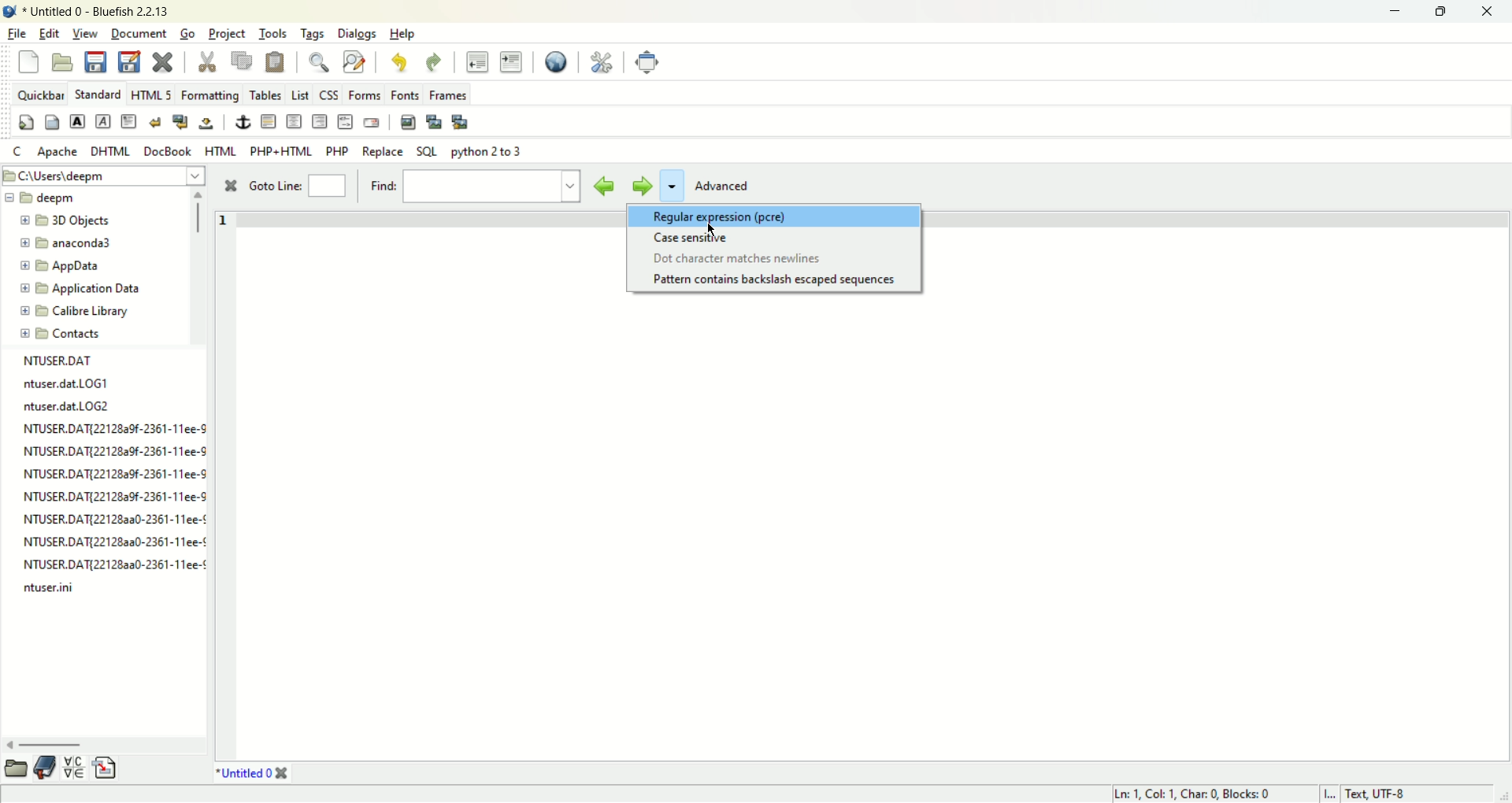 Image resolution: width=1512 pixels, height=803 pixels. I want to click on cut, so click(206, 63).